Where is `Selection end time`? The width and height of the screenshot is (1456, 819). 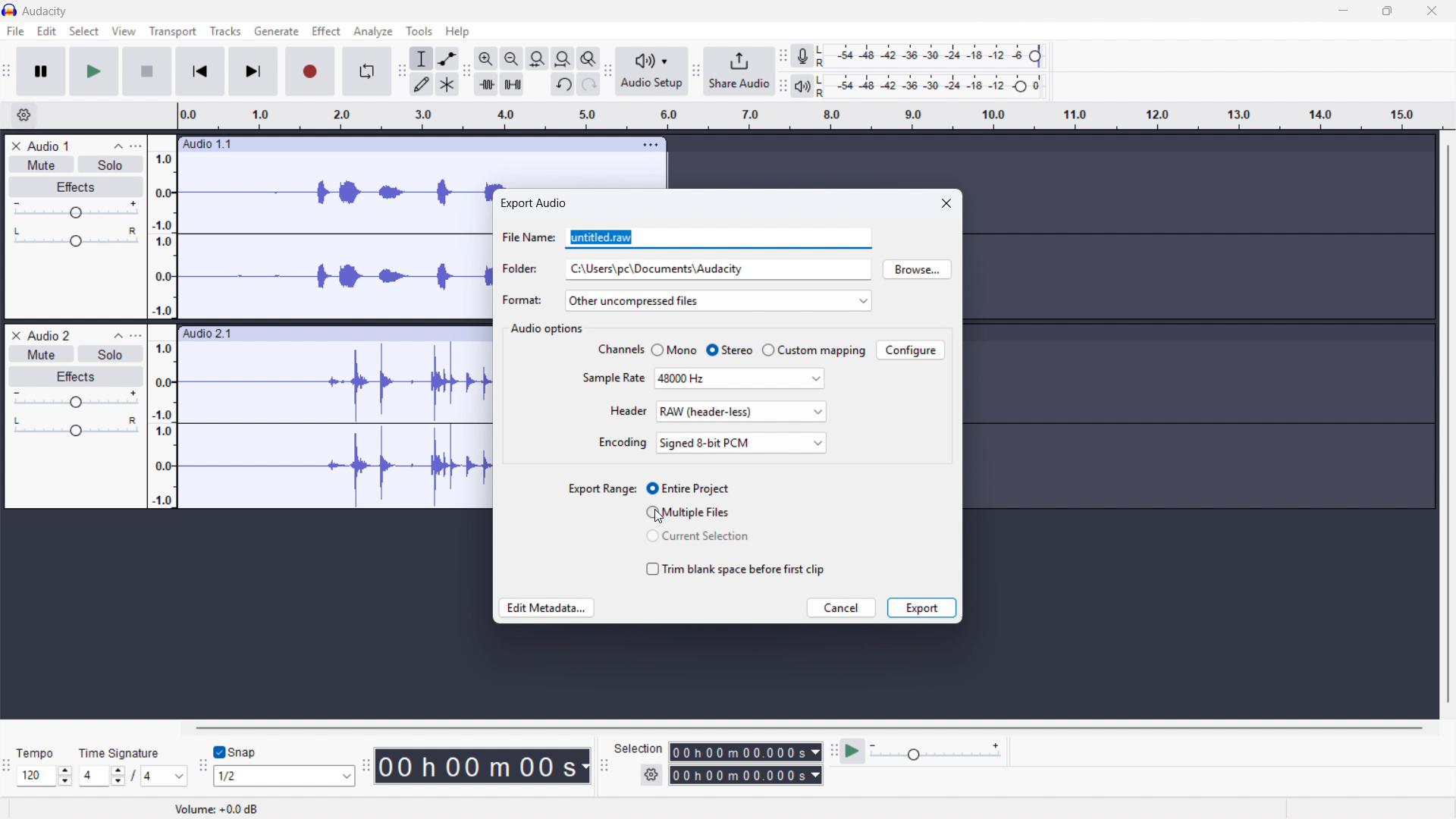
Selection end time is located at coordinates (746, 776).